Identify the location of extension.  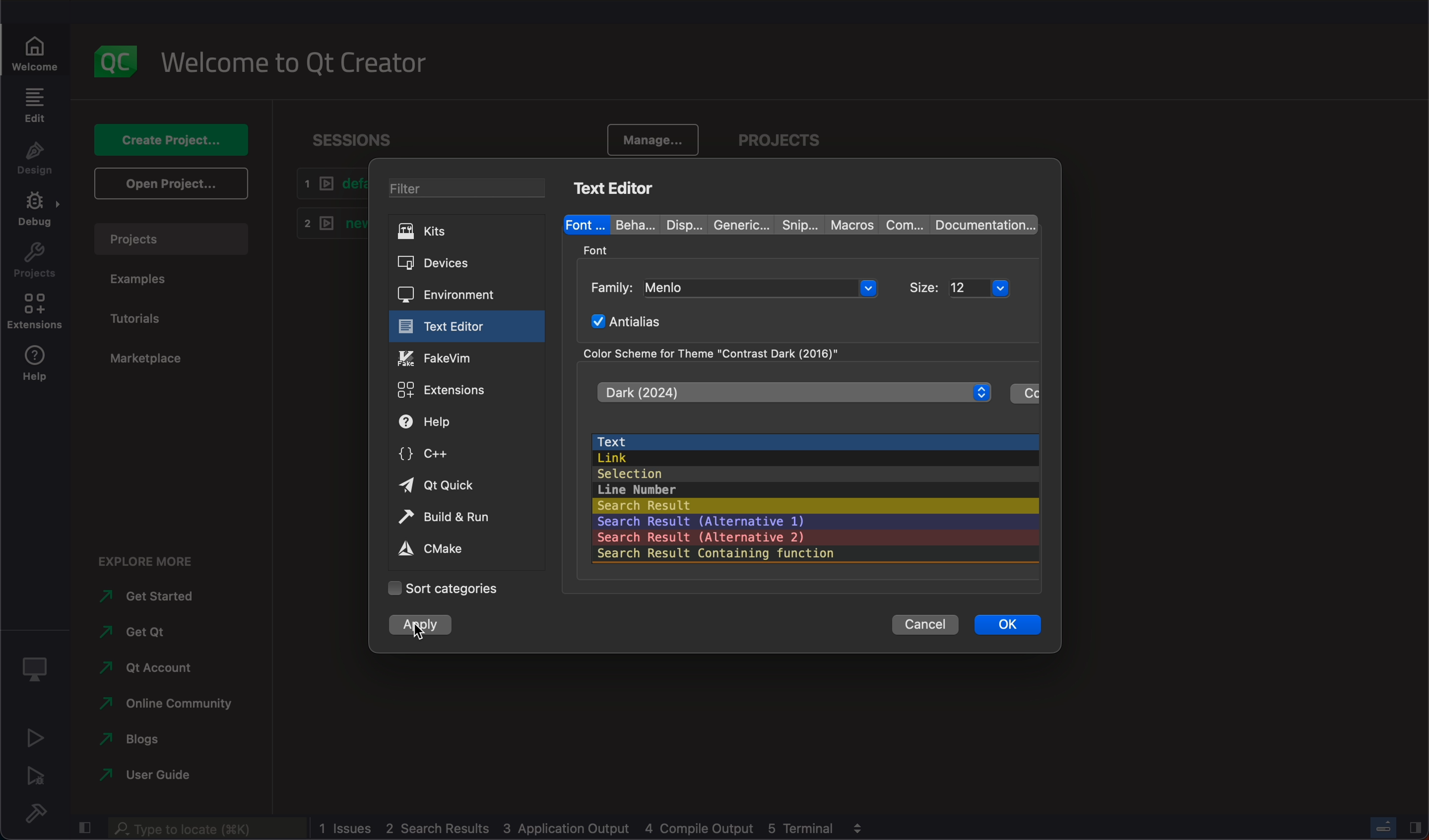
(34, 313).